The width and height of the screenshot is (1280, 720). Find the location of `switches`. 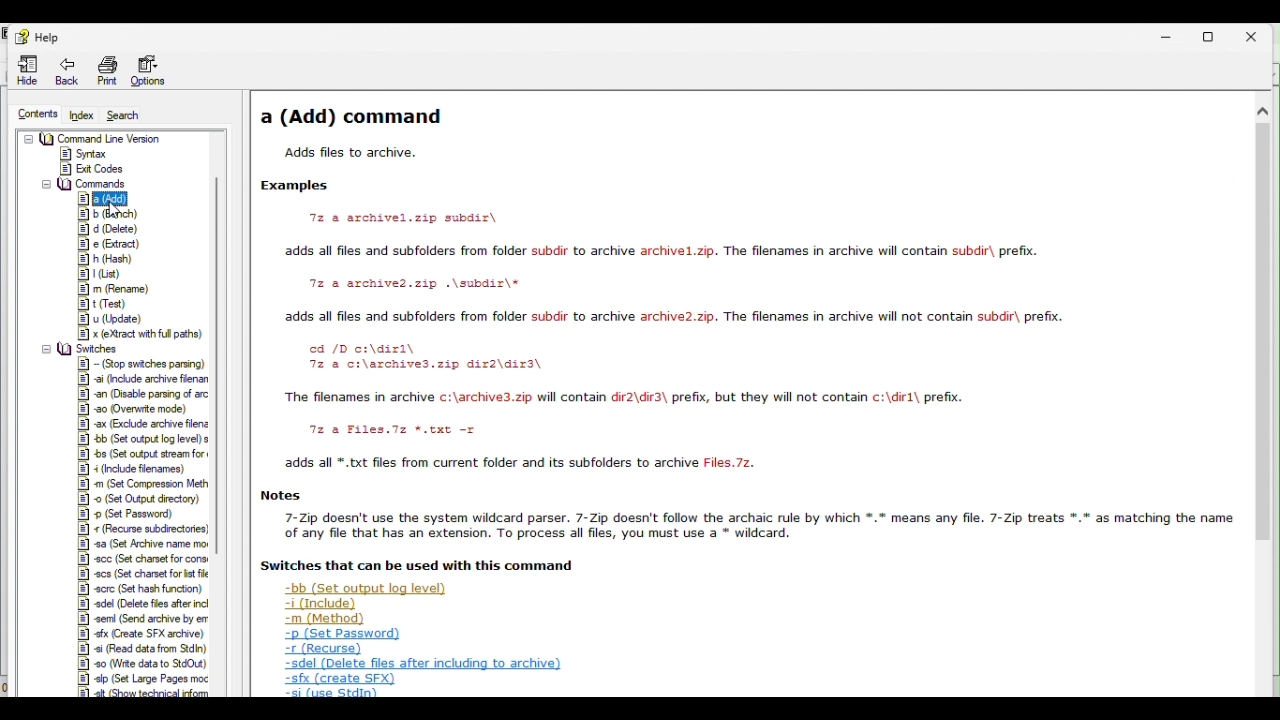

switches is located at coordinates (86, 349).